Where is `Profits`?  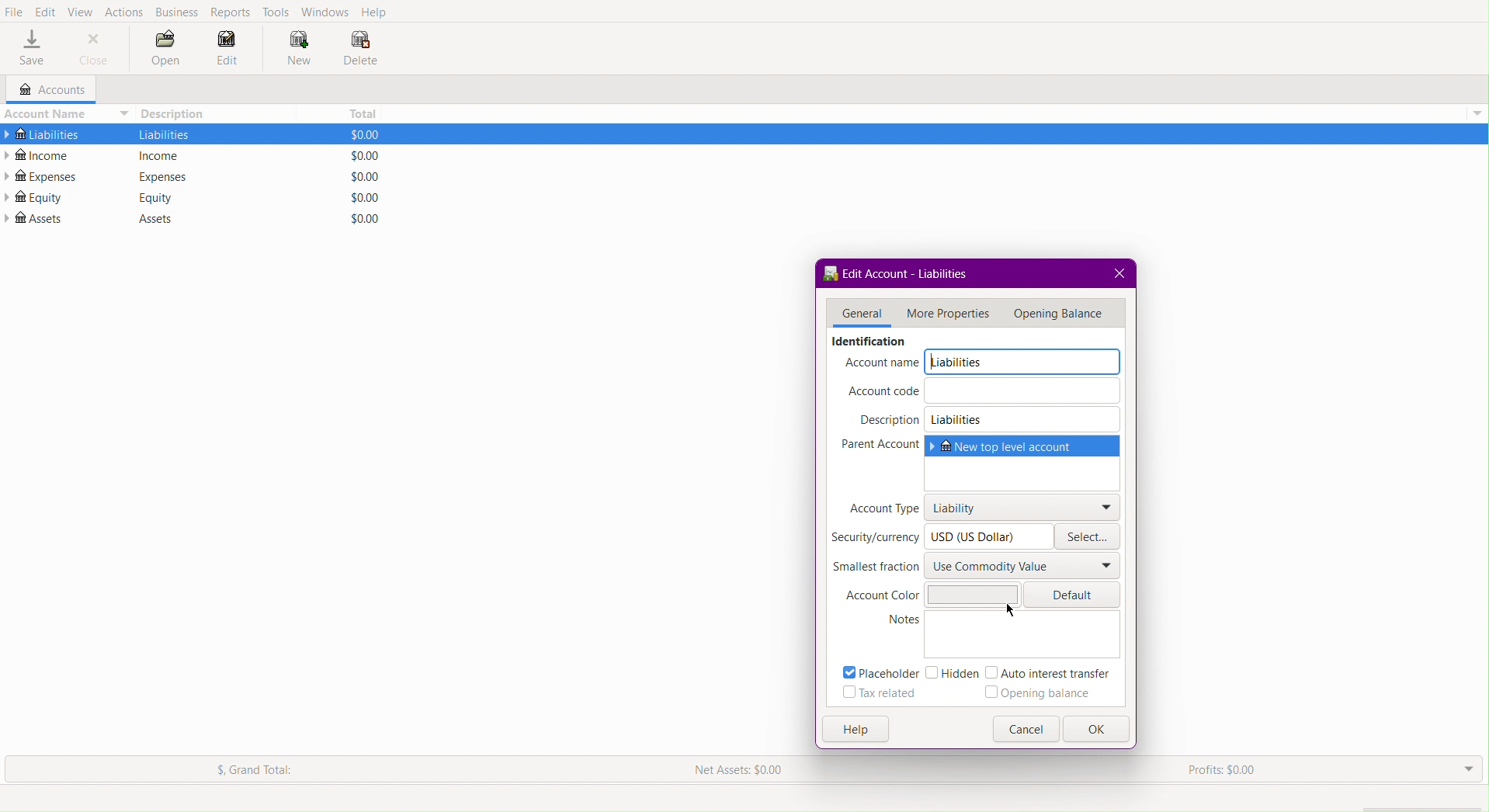
Profits is located at coordinates (1221, 771).